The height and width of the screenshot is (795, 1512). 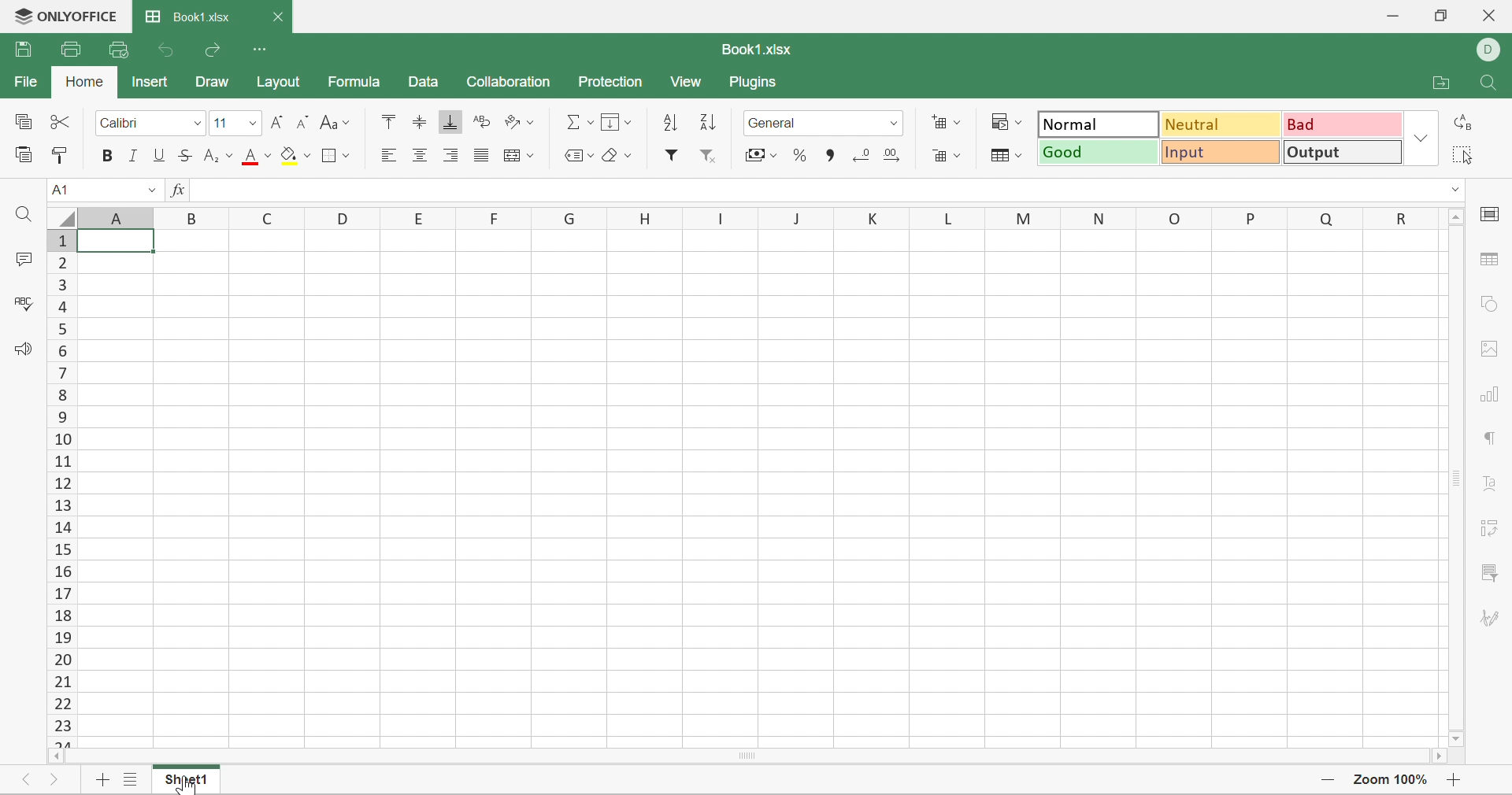 I want to click on Plugins, so click(x=755, y=83).